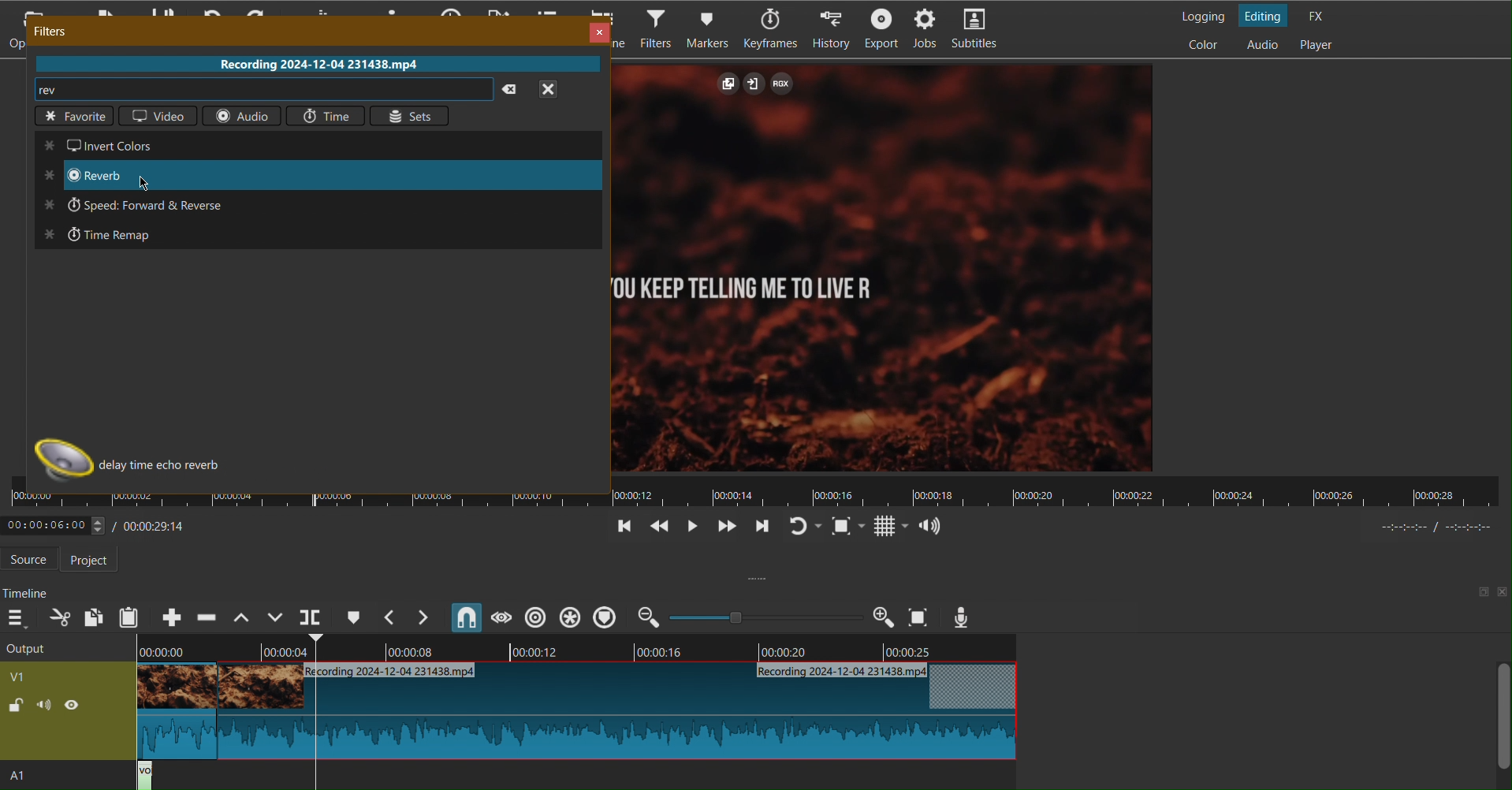 This screenshot has height=790, width=1512. What do you see at coordinates (426, 618) in the screenshot?
I see `Next Marker` at bounding box center [426, 618].